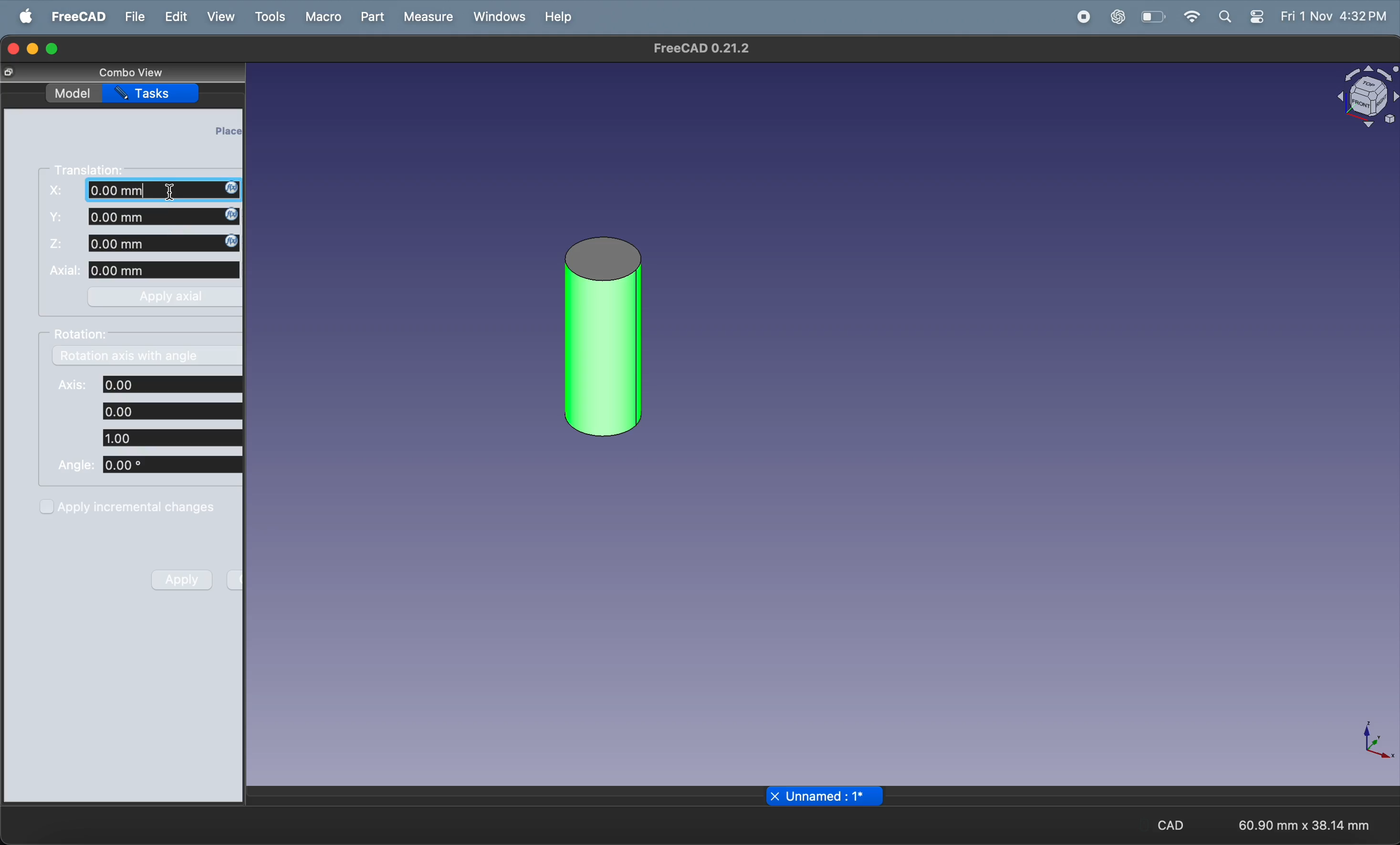 The width and height of the screenshot is (1400, 845). I want to click on fs, so click(59, 217).